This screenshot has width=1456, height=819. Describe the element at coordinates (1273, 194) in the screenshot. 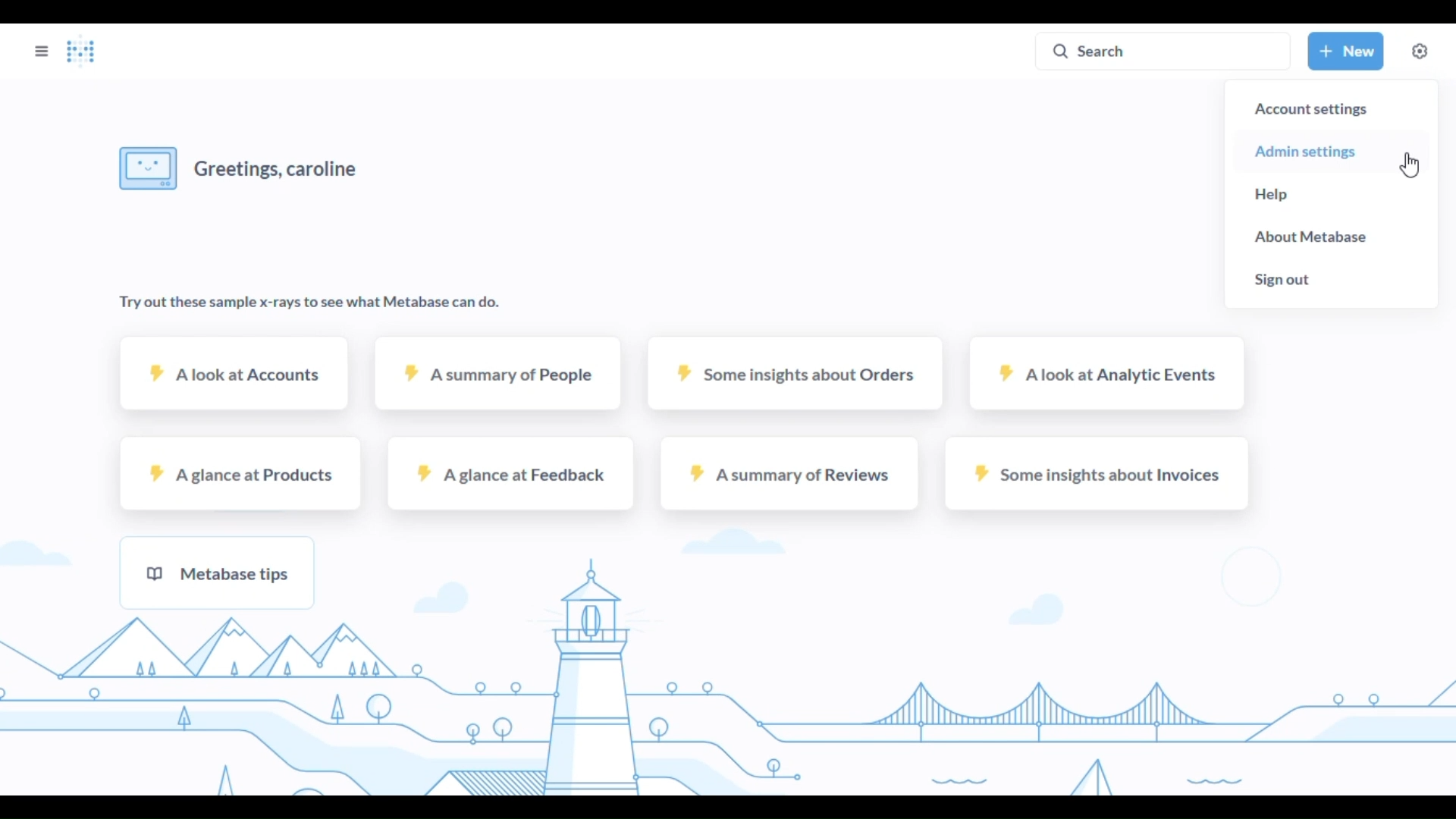

I see `help` at that location.